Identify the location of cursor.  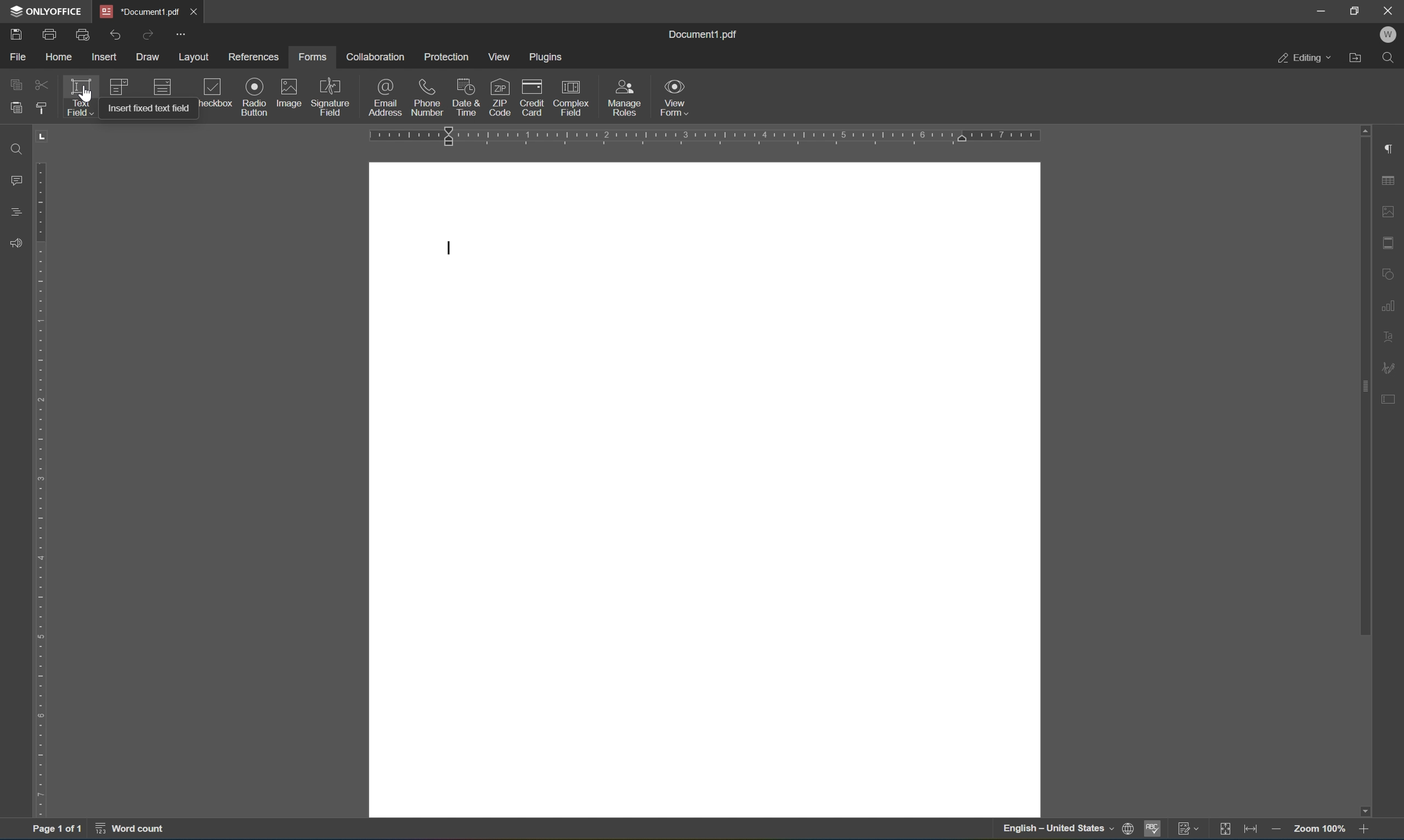
(85, 96).